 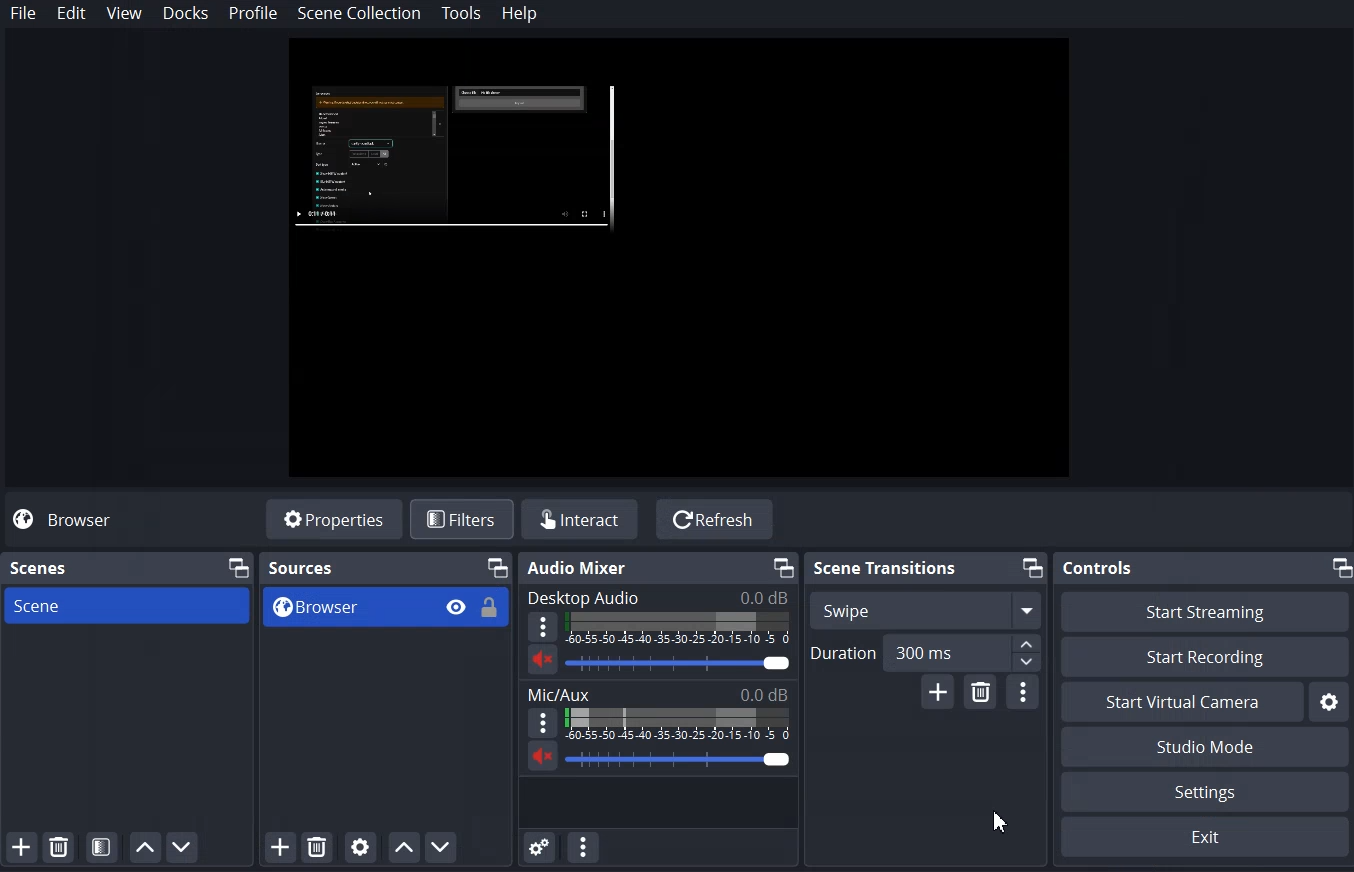 I want to click on Exit, so click(x=1207, y=837).